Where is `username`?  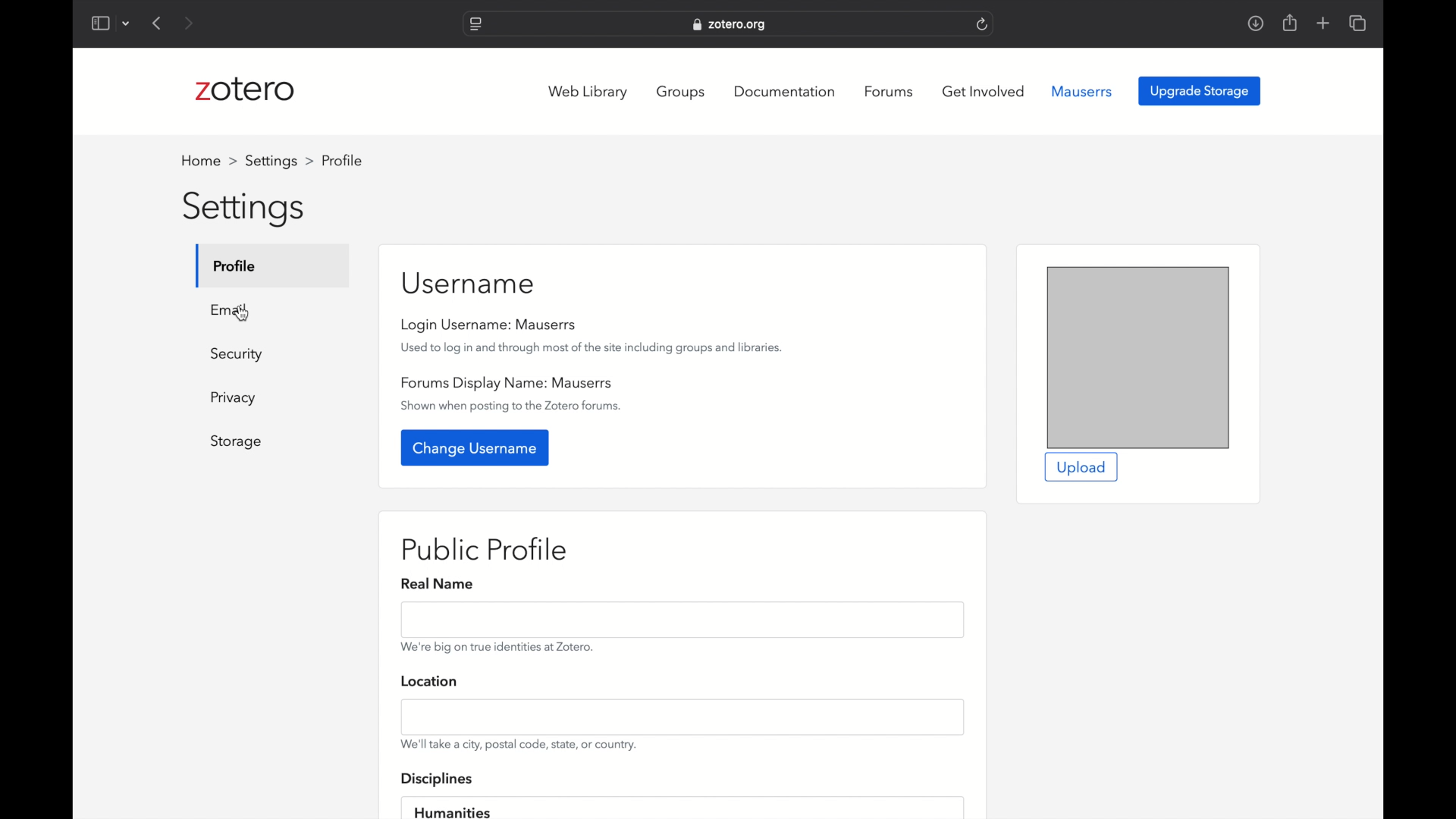
username is located at coordinates (469, 284).